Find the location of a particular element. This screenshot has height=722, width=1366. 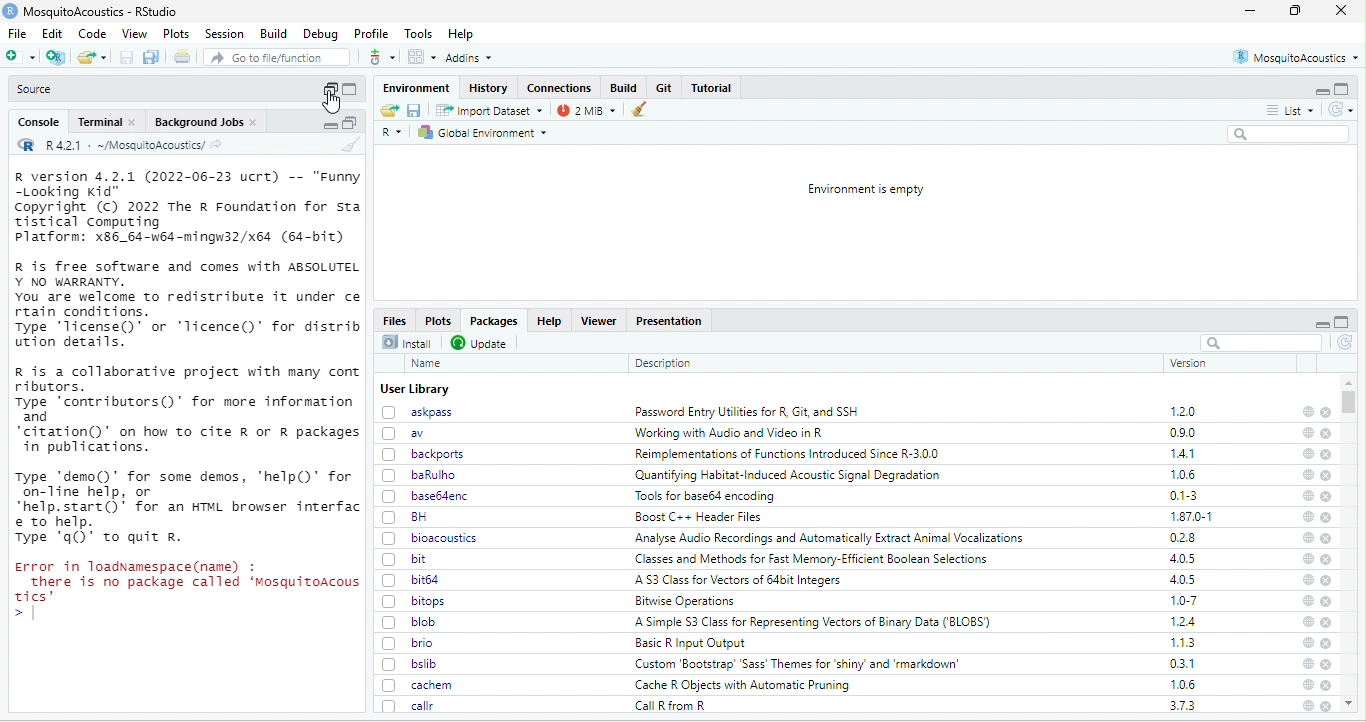

help is located at coordinates (1307, 601).